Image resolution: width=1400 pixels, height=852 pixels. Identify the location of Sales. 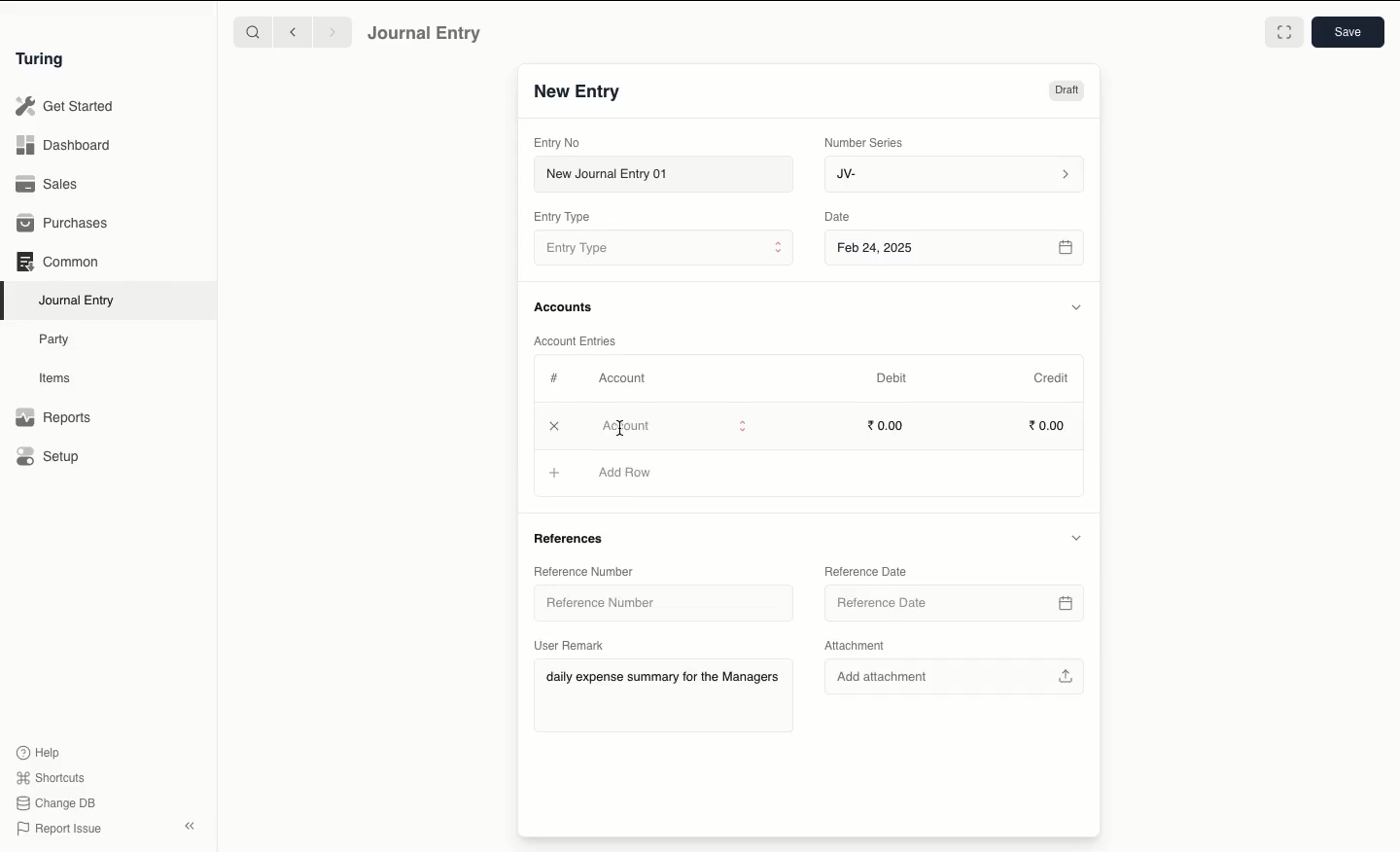
(50, 184).